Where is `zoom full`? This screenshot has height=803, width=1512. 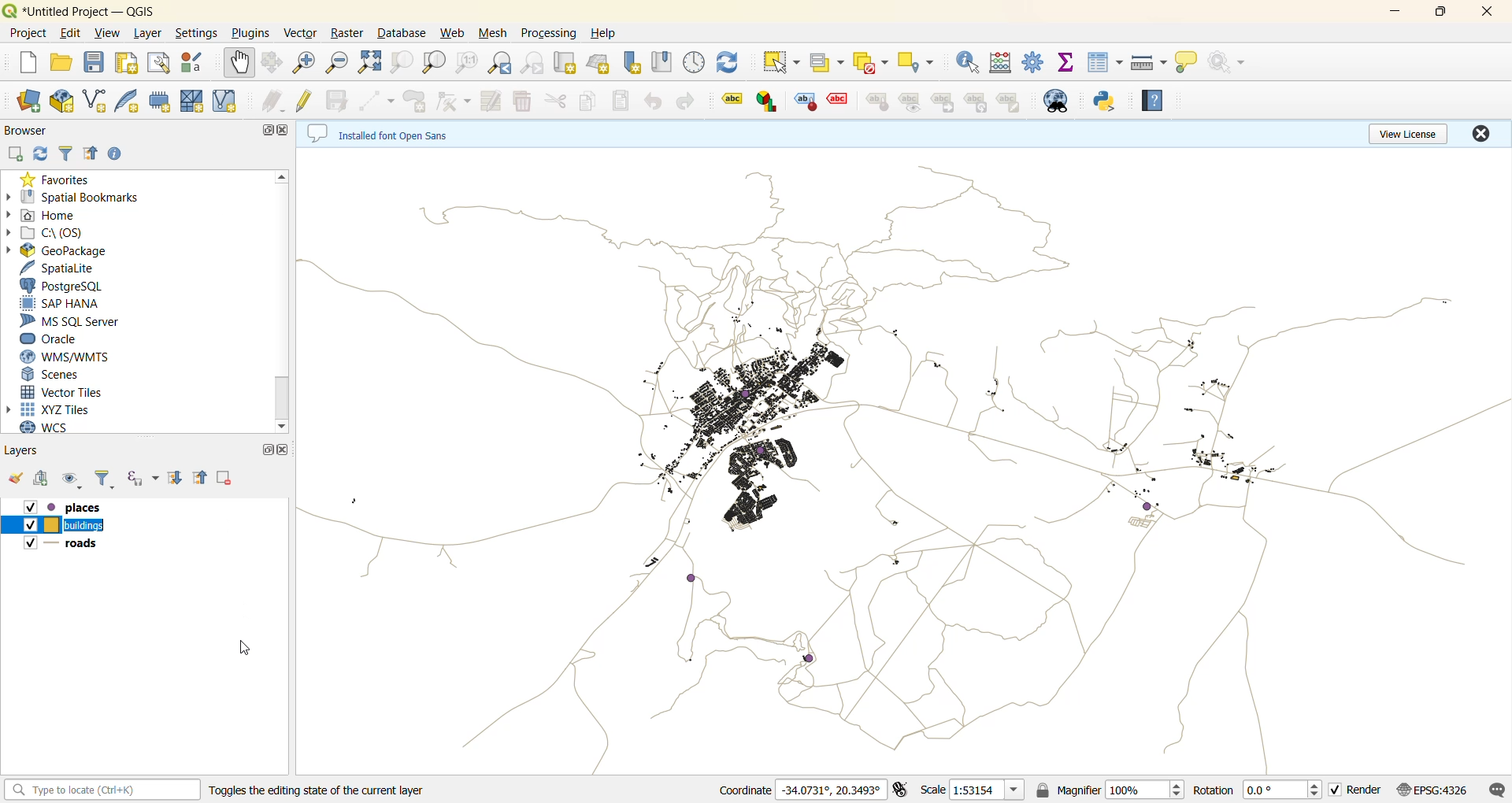 zoom full is located at coordinates (372, 62).